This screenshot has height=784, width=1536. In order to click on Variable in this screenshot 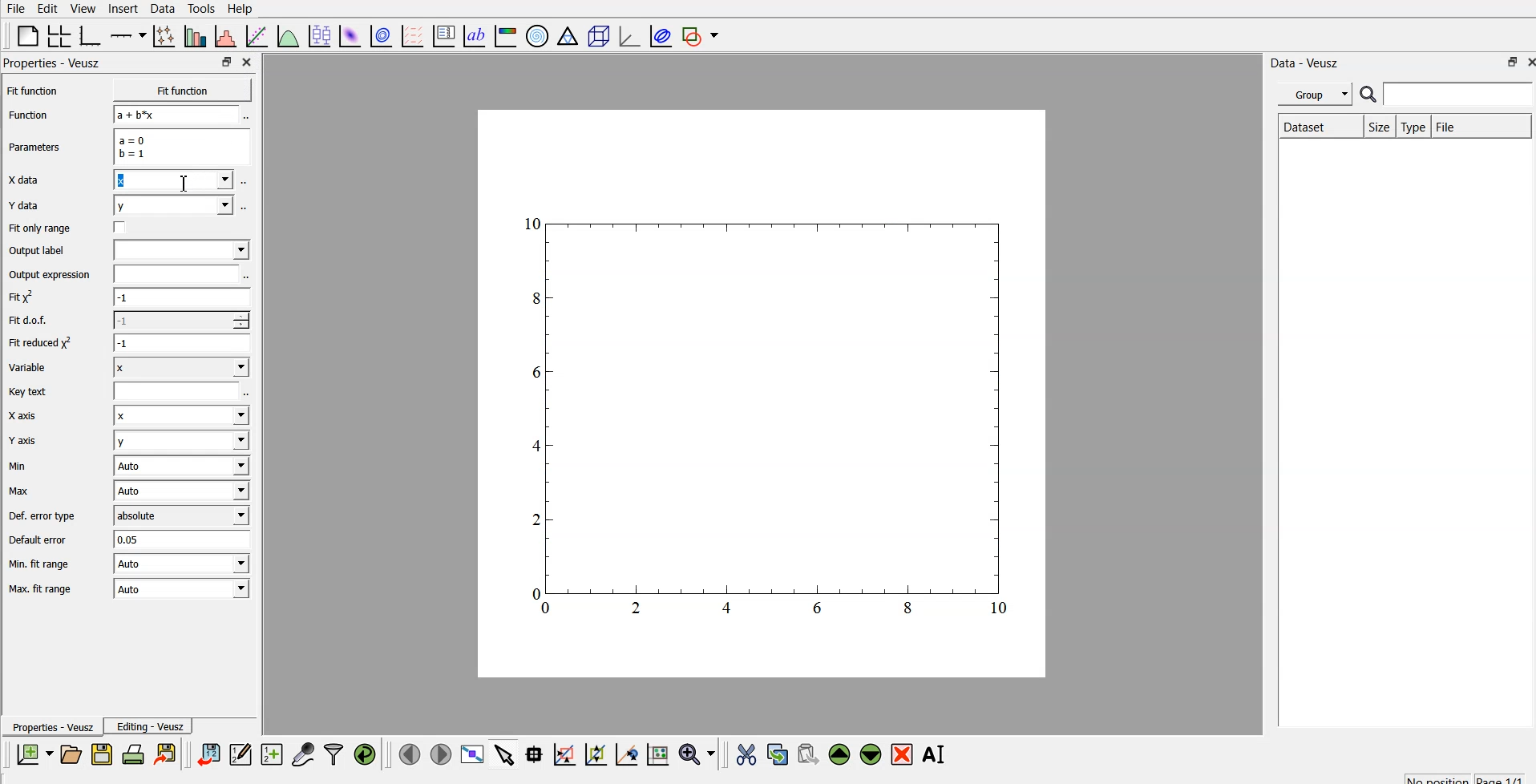, I will do `click(40, 367)`.